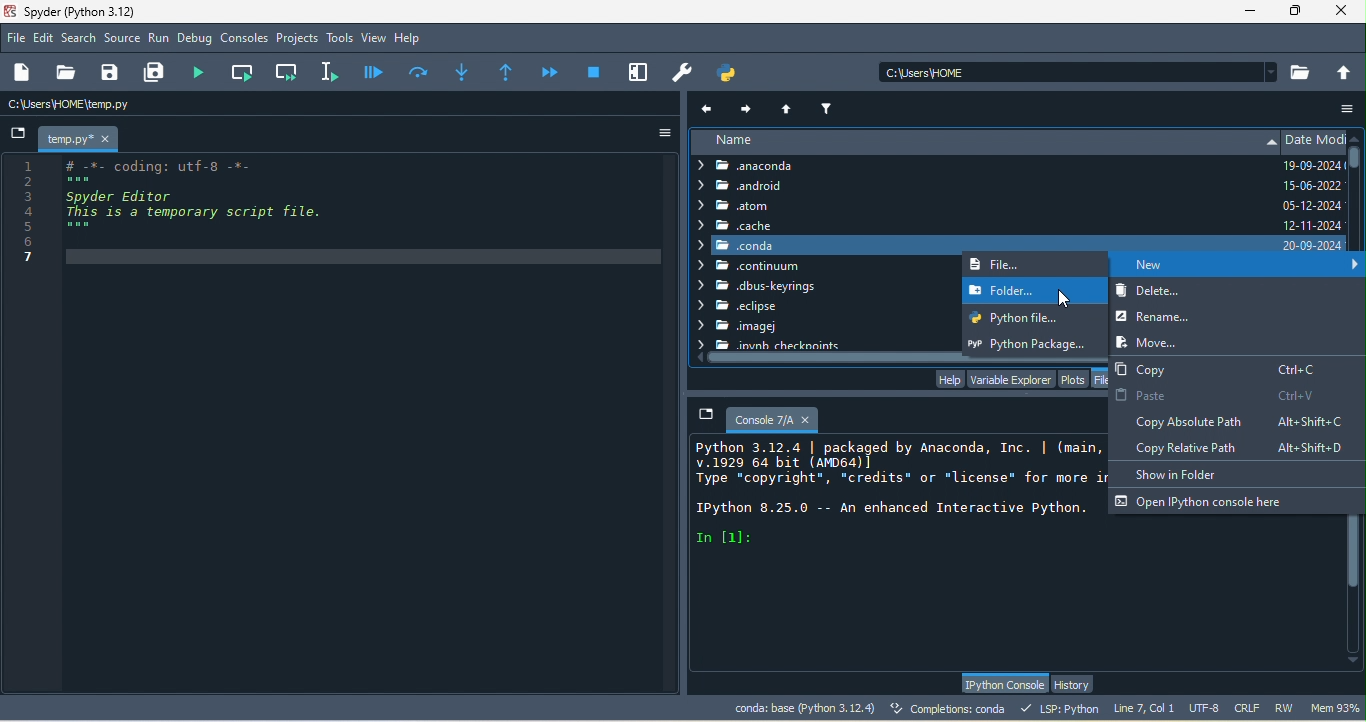 This screenshot has width=1366, height=722. Describe the element at coordinates (1034, 291) in the screenshot. I see `select folder option` at that location.